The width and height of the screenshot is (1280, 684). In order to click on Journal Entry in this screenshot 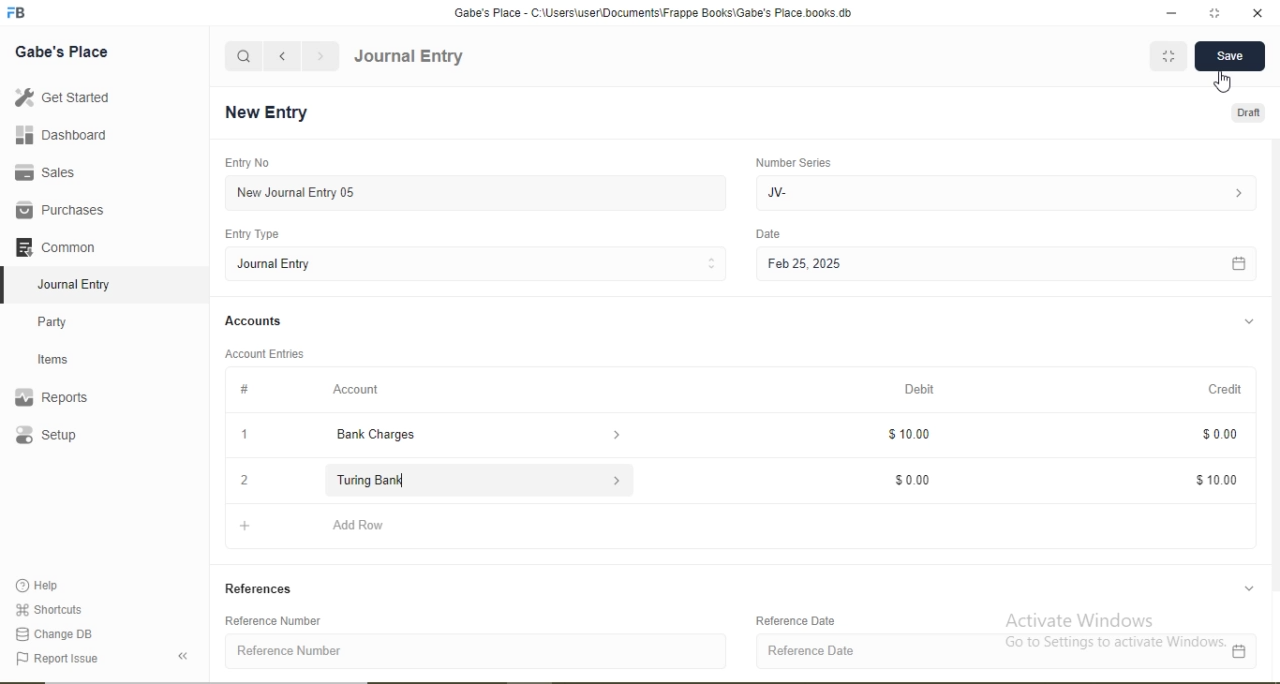, I will do `click(409, 57)`.